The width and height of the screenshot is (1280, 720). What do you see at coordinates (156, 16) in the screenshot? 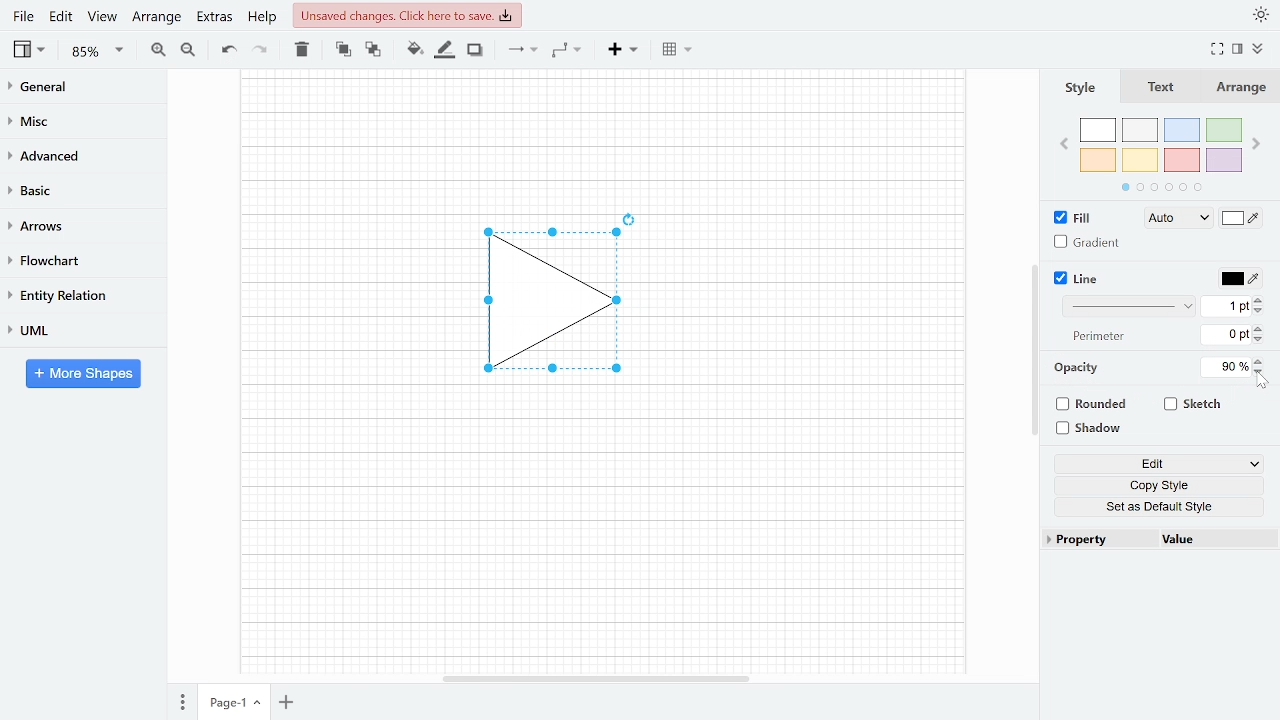
I see `Arrange` at bounding box center [156, 16].